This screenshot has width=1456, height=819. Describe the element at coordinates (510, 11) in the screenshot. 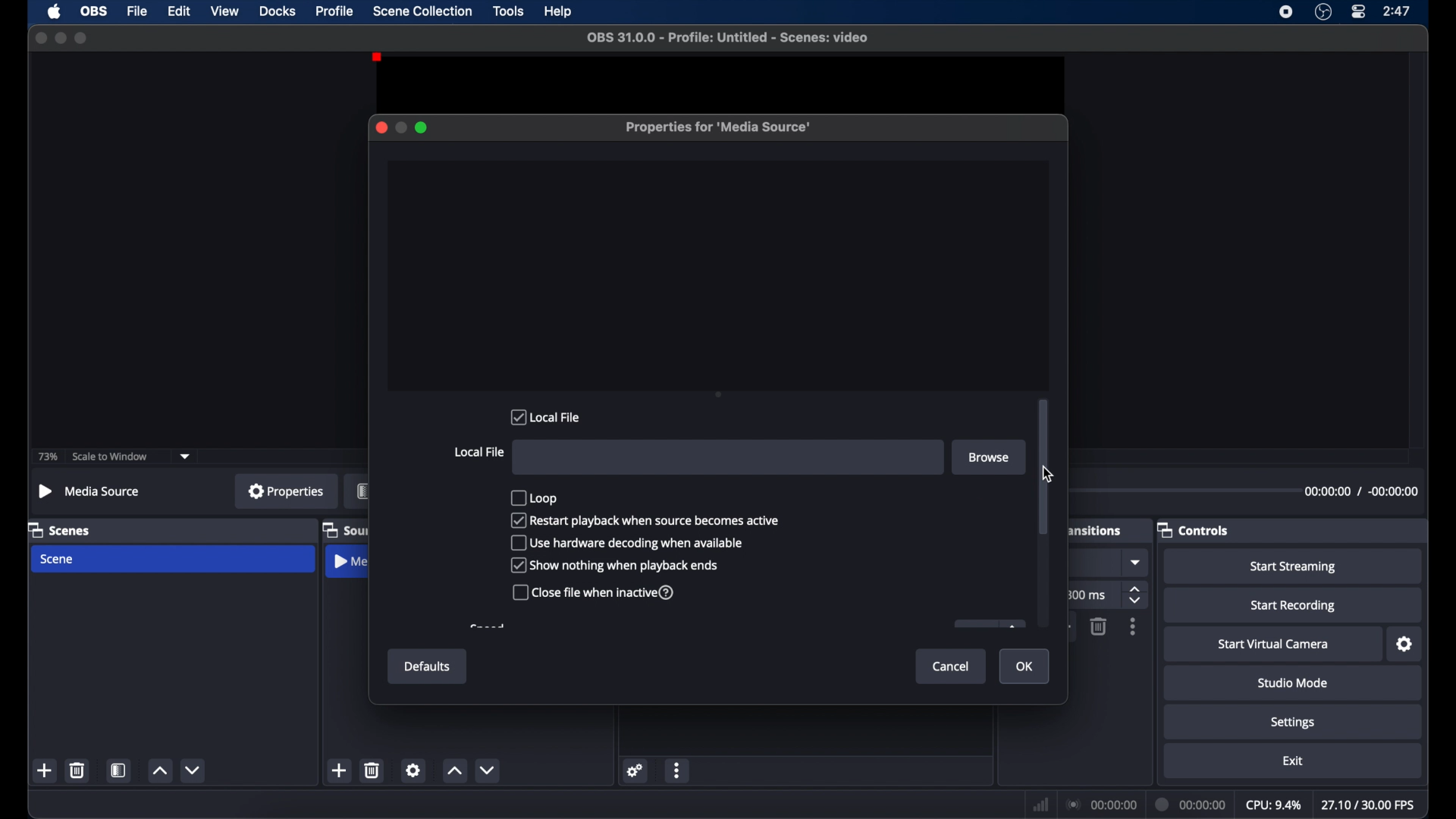

I see `tools` at that location.